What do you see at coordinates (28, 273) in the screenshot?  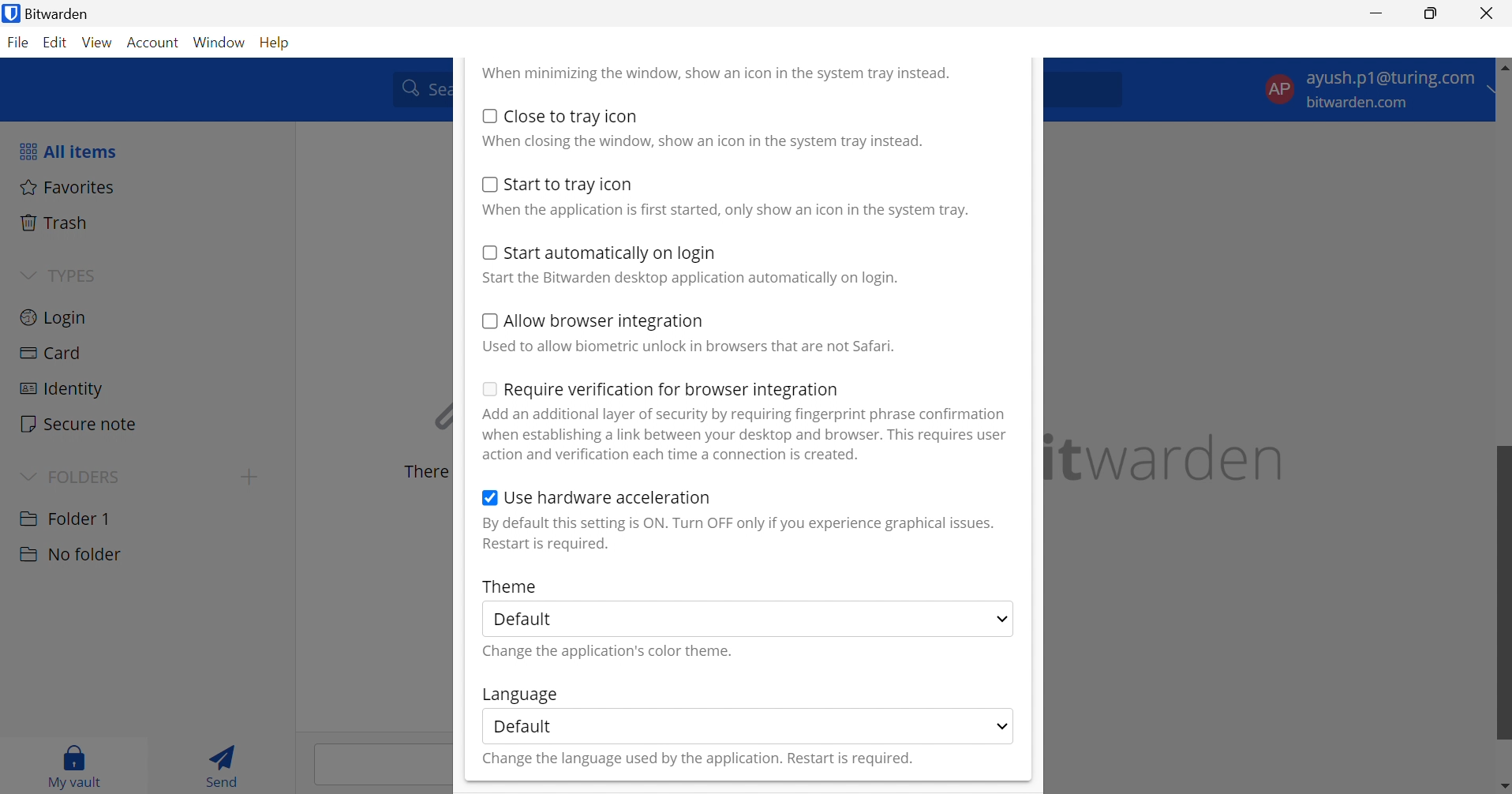 I see `Drop Down` at bounding box center [28, 273].